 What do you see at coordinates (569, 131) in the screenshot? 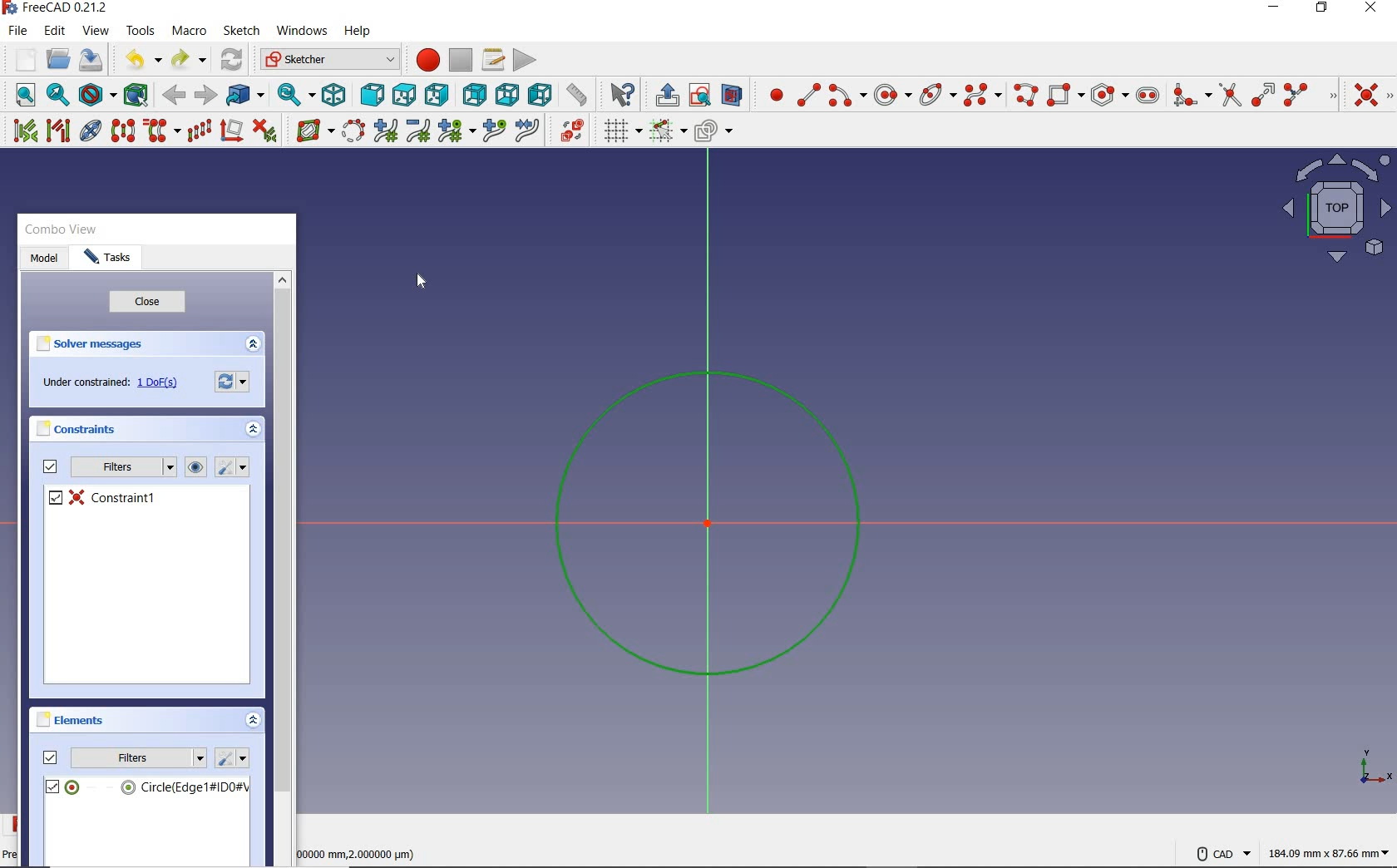
I see `switch virtual space` at bounding box center [569, 131].